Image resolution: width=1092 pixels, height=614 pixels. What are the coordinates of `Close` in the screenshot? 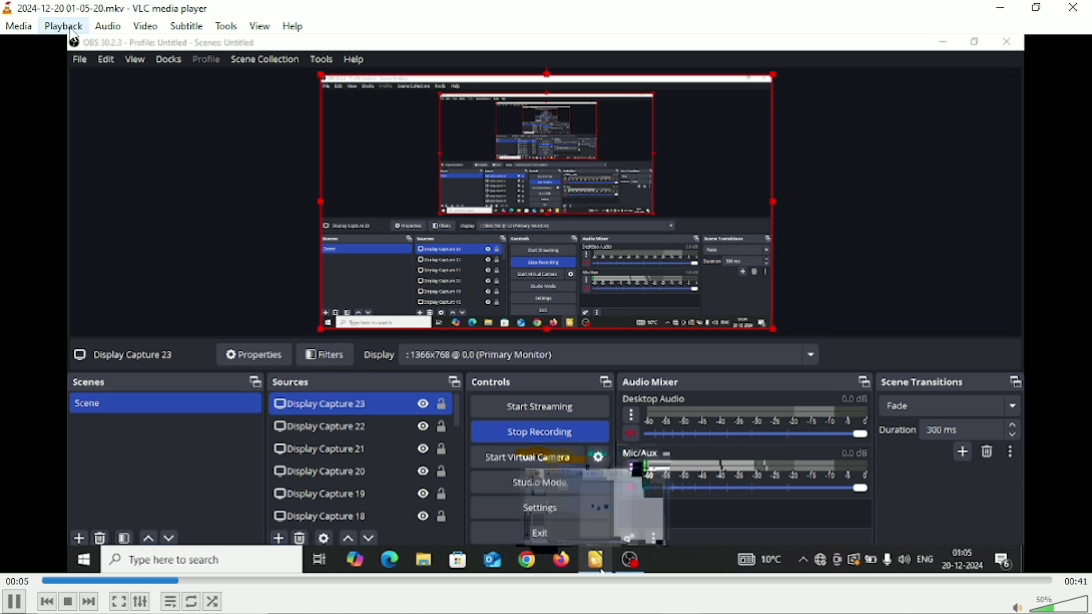 It's located at (1072, 8).